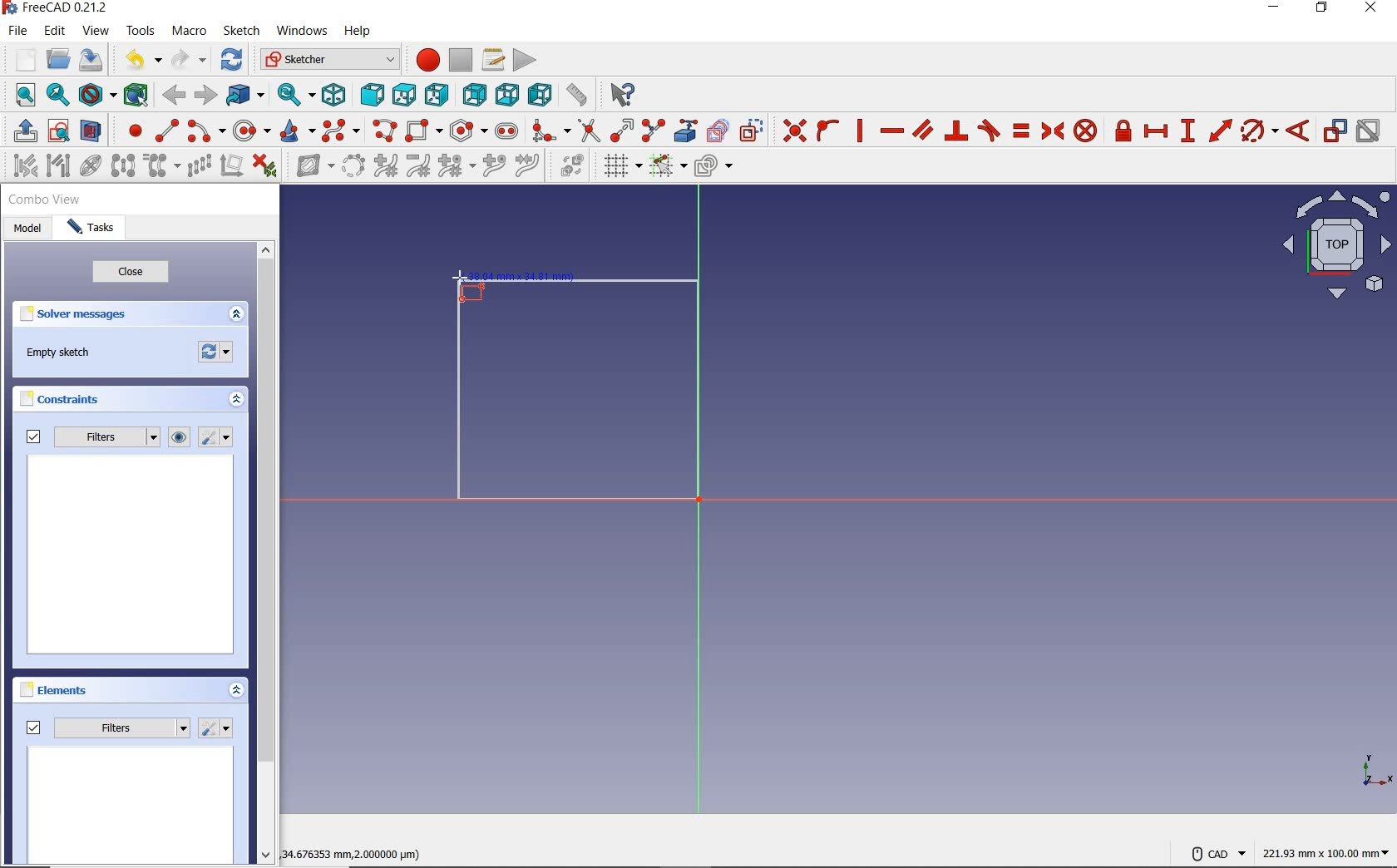  What do you see at coordinates (668, 167) in the screenshot?
I see `toggle snap` at bounding box center [668, 167].